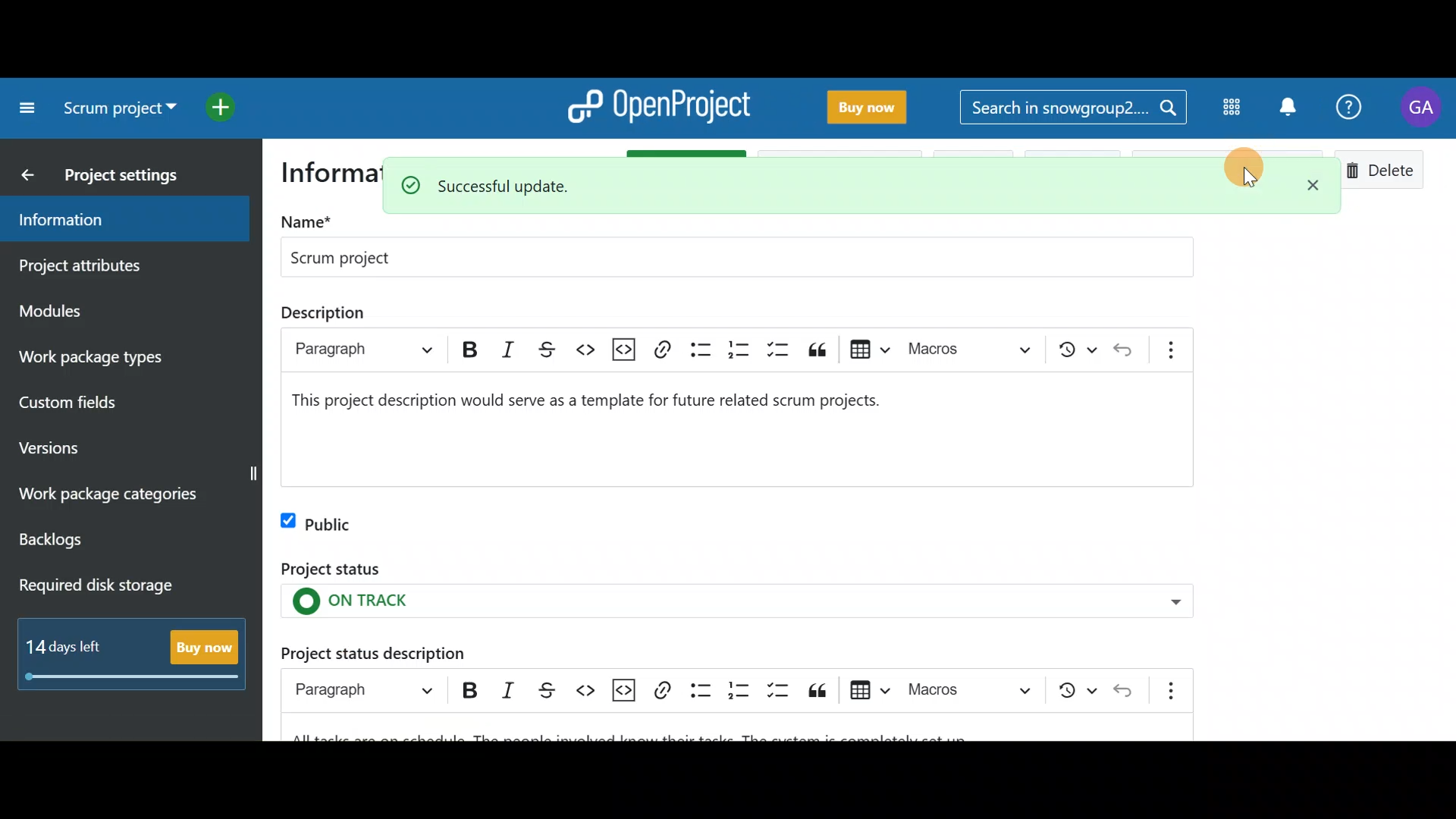 This screenshot has width=1456, height=819. Describe the element at coordinates (138, 657) in the screenshot. I see `Buy now` at that location.